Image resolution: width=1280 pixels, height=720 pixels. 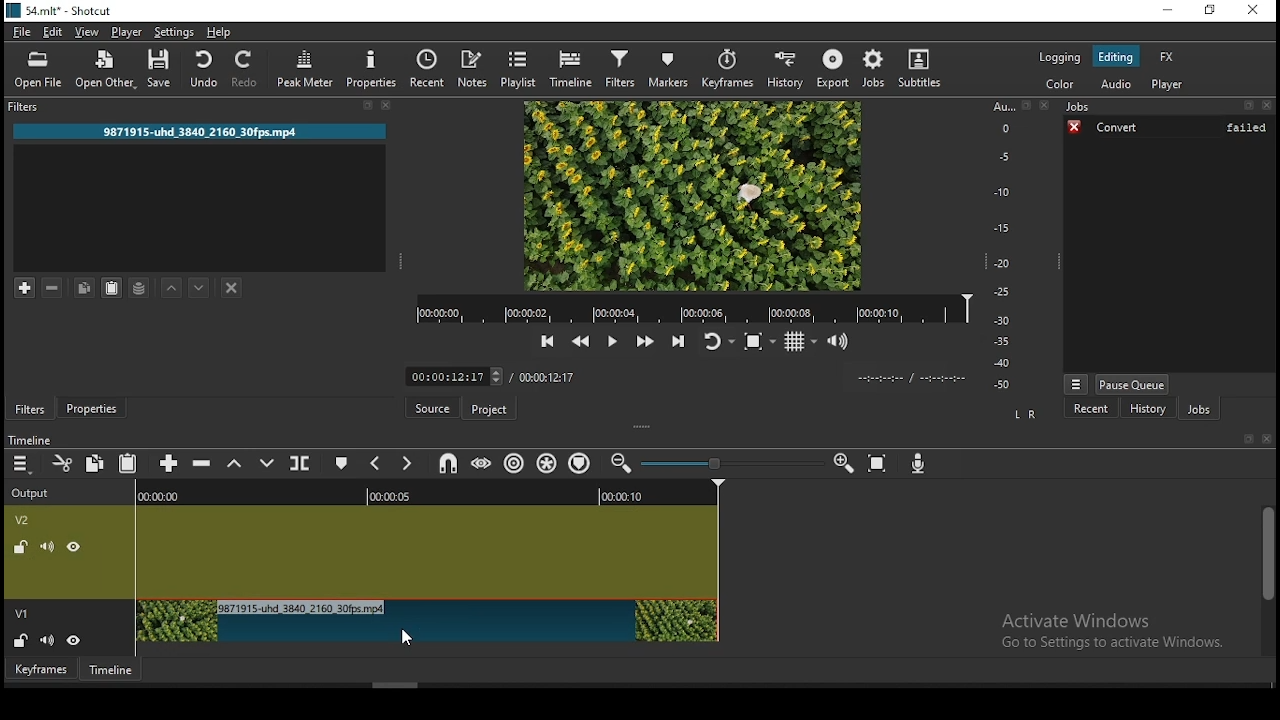 I want to click on scale, so click(x=1004, y=245).